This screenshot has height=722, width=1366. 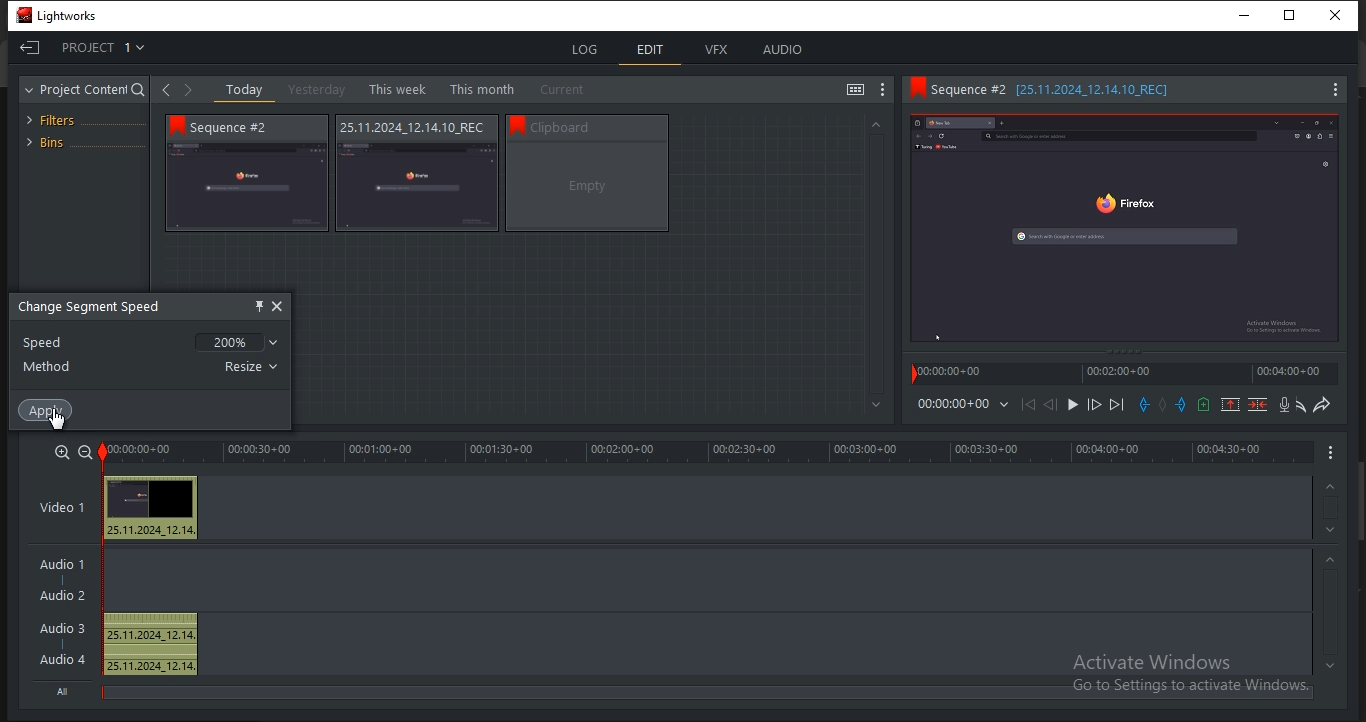 What do you see at coordinates (249, 186) in the screenshot?
I see `video thumbnail` at bounding box center [249, 186].